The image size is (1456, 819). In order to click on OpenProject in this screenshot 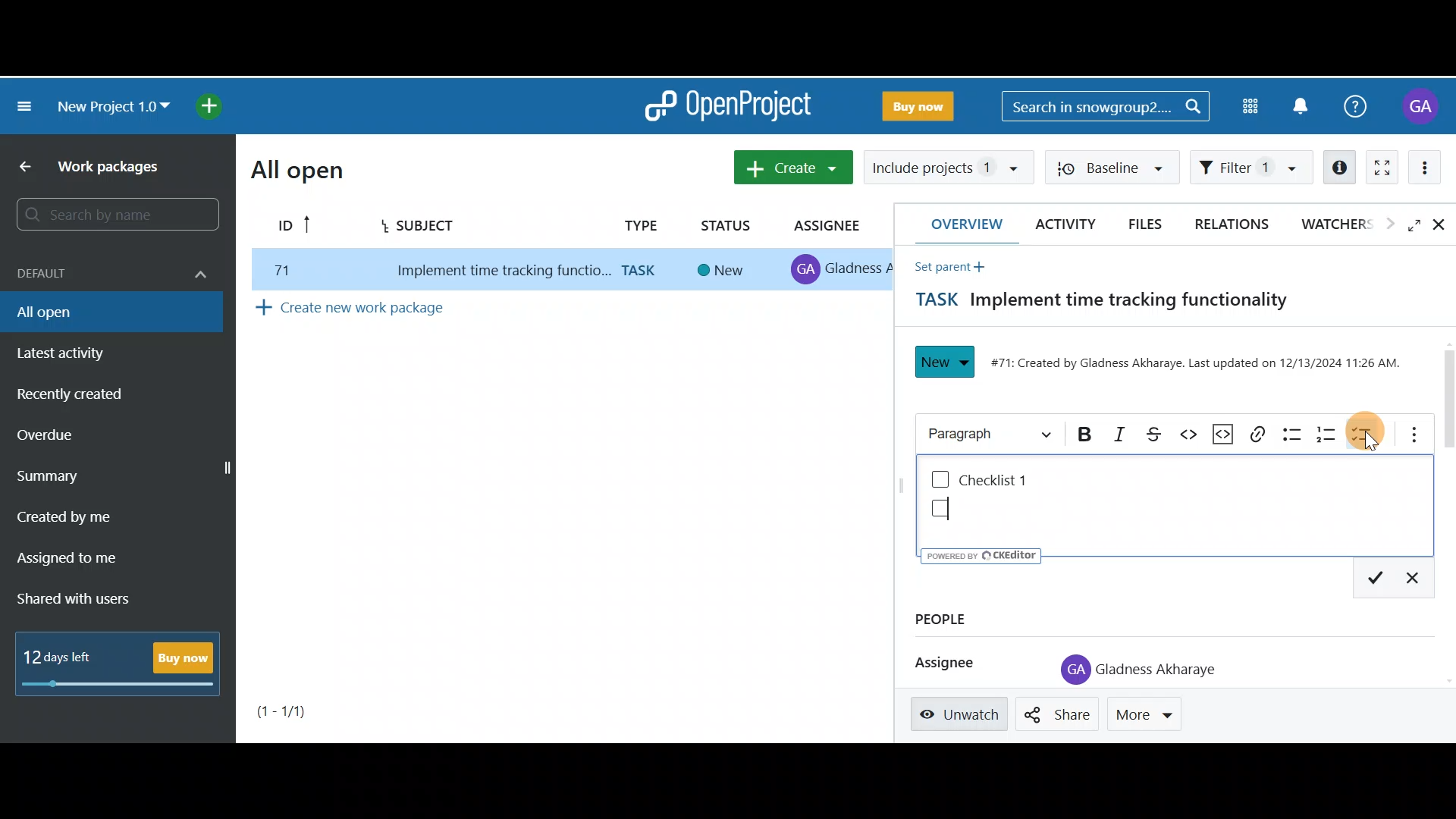, I will do `click(726, 106)`.